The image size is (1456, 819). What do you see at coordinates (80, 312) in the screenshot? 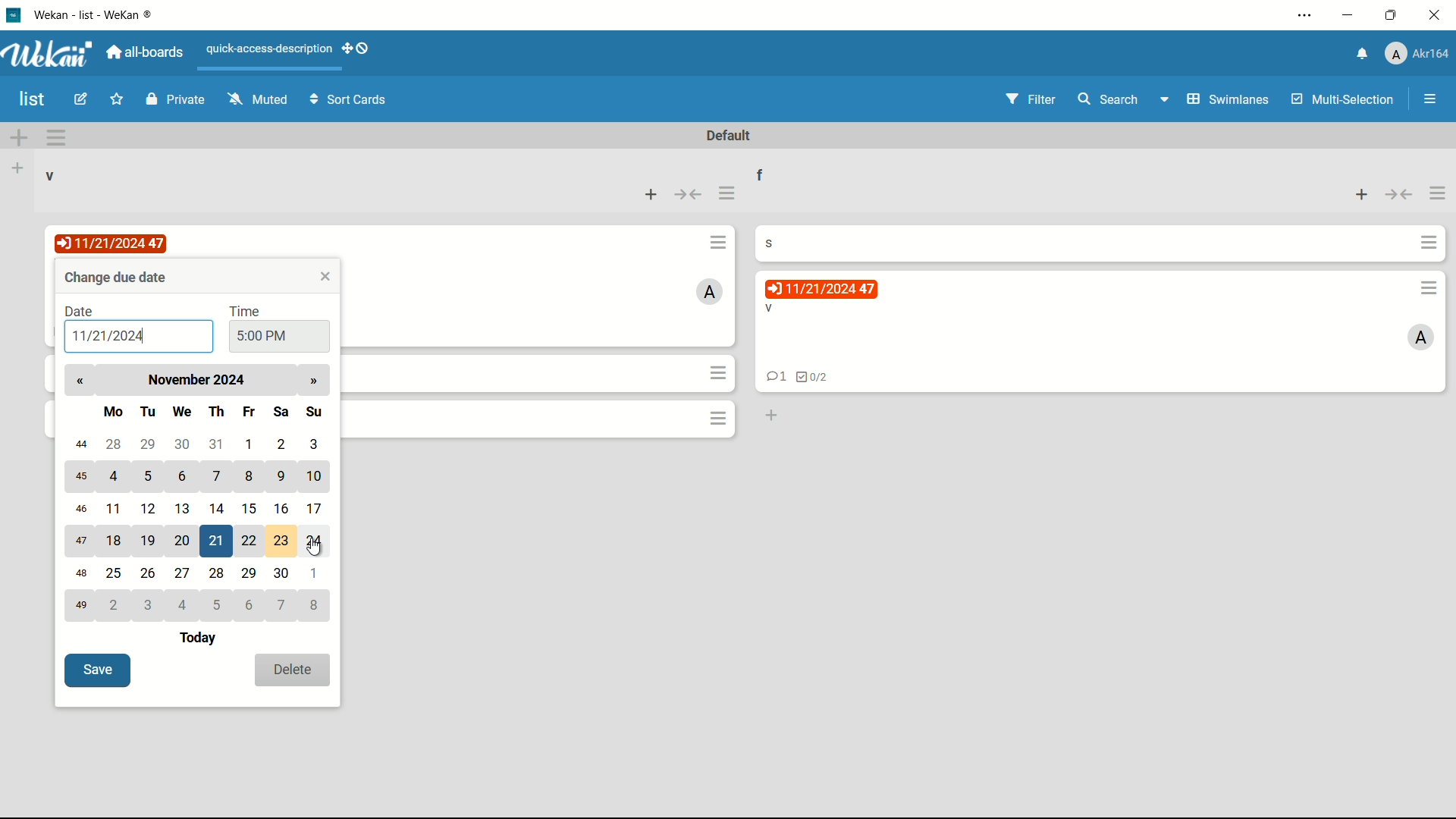
I see `date` at bounding box center [80, 312].